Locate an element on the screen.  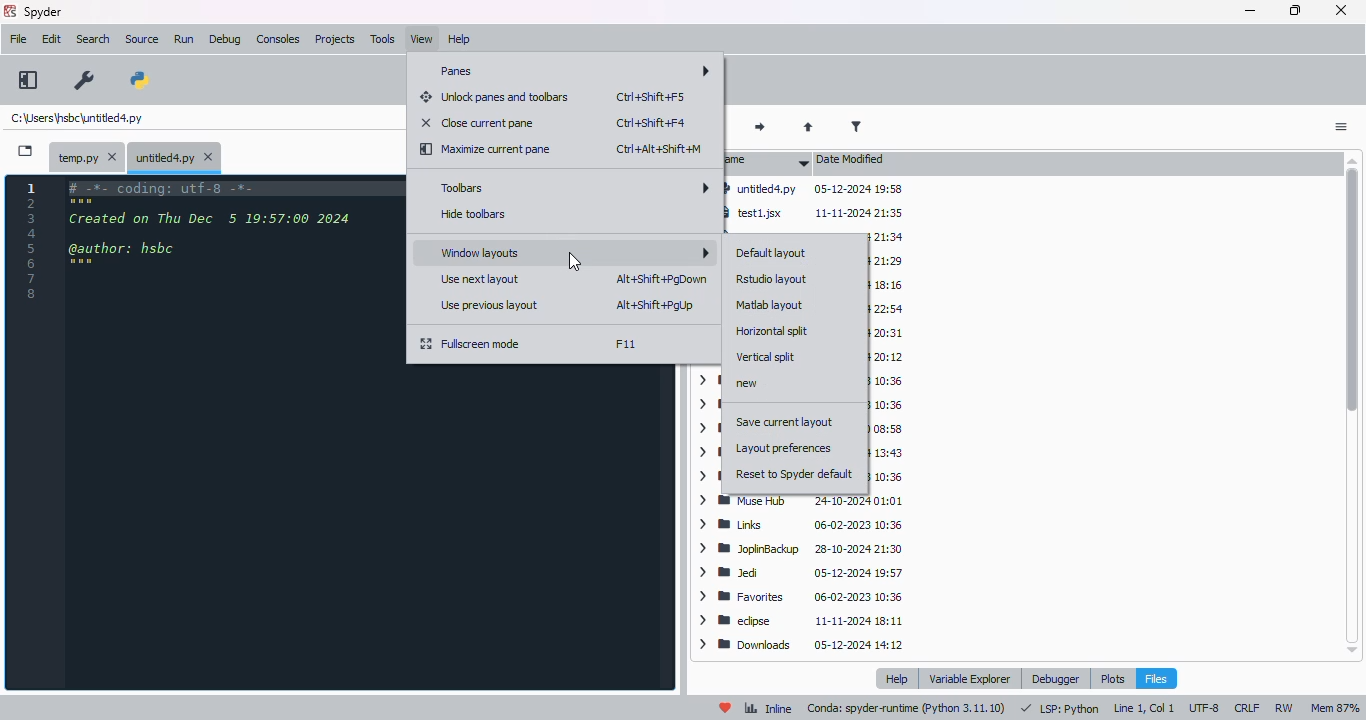
name is located at coordinates (766, 161).